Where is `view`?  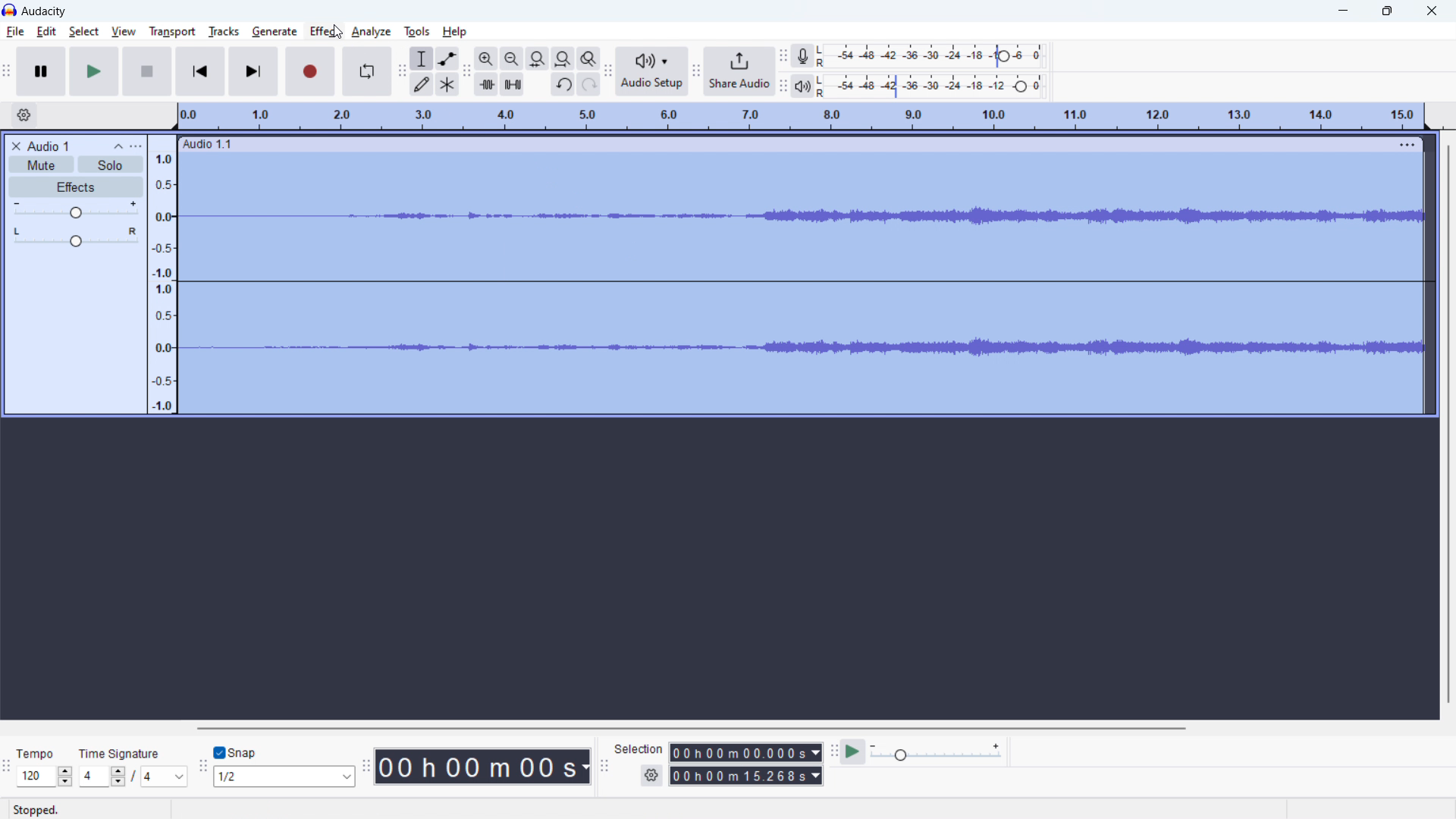 view is located at coordinates (124, 31).